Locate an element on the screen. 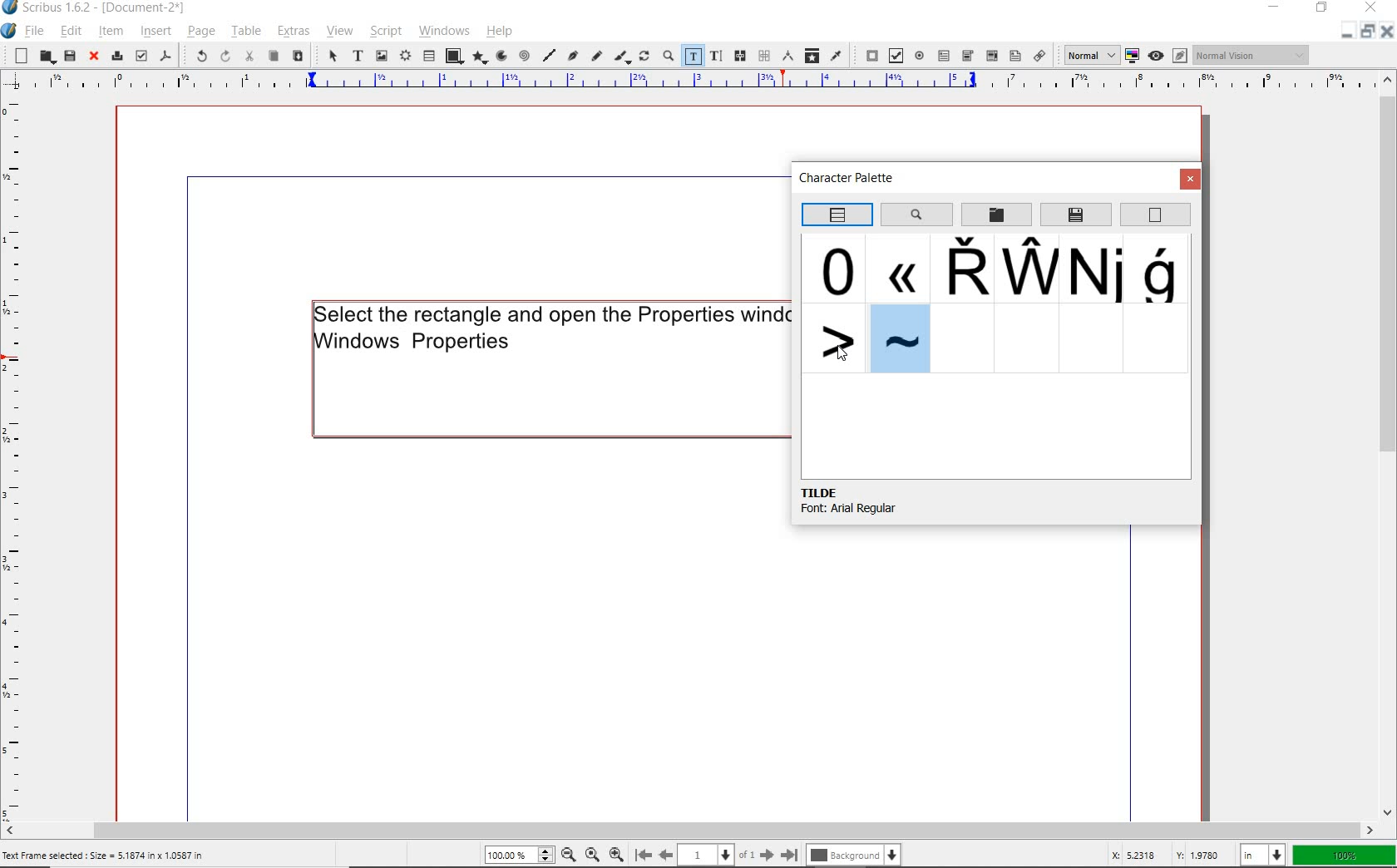  restore is located at coordinates (1366, 34).